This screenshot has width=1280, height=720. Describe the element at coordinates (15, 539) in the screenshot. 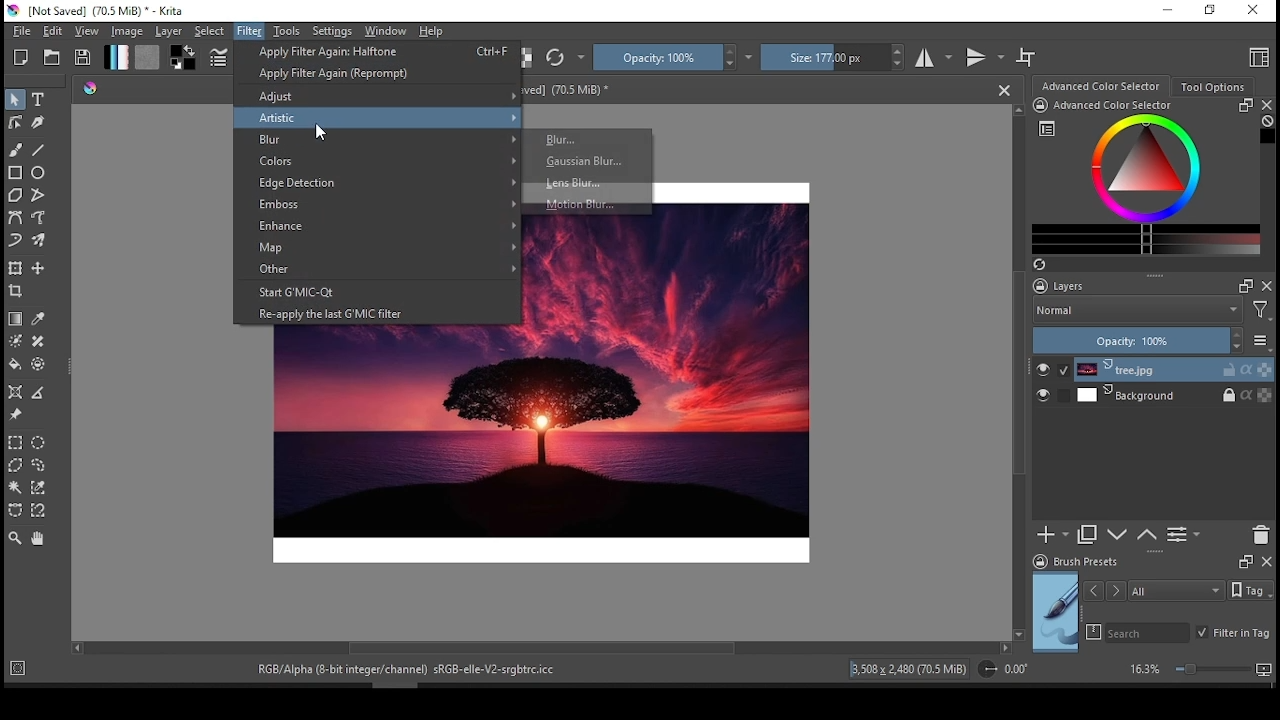

I see `zoom tool` at that location.